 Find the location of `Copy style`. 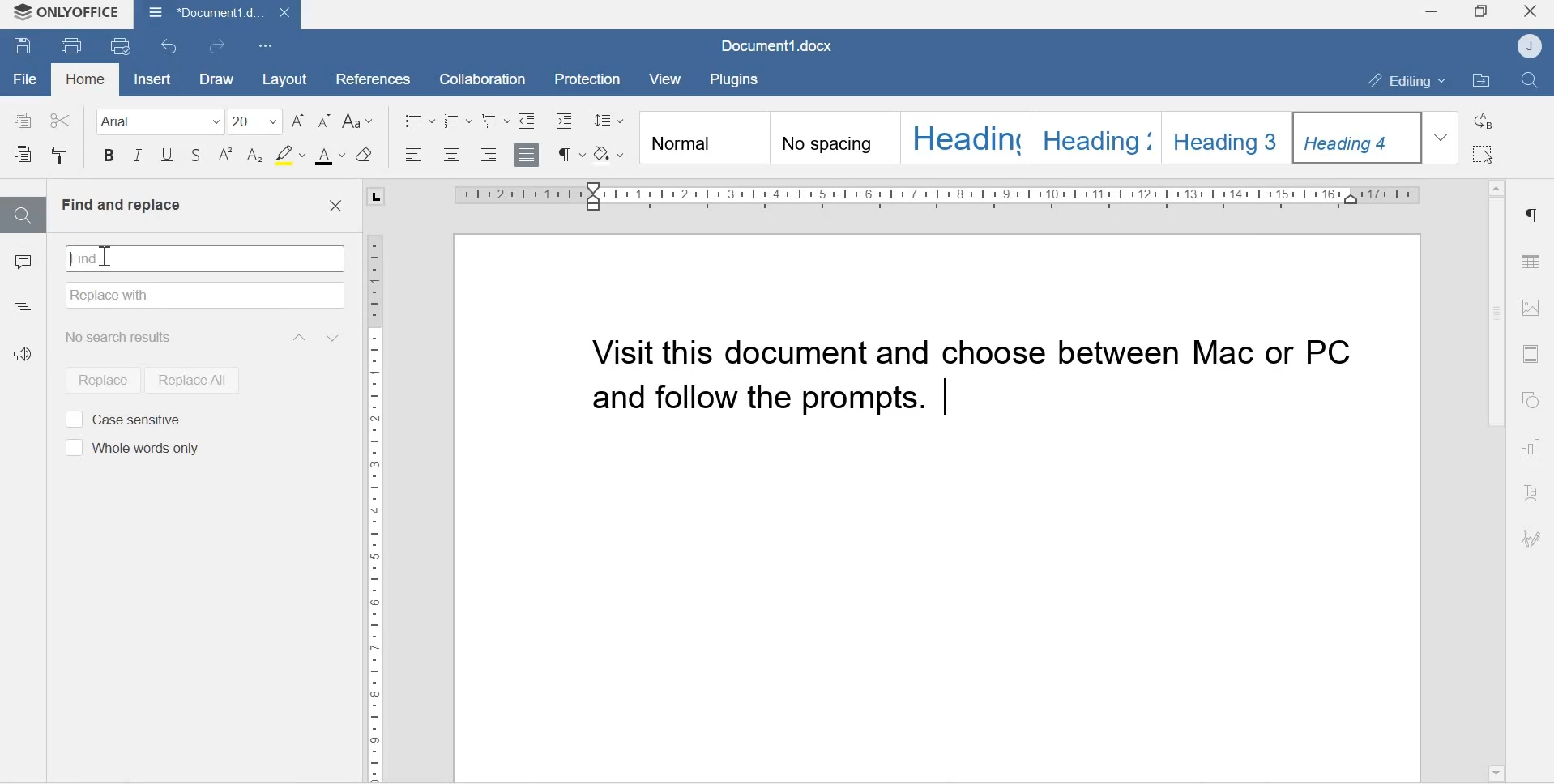

Copy style is located at coordinates (60, 156).